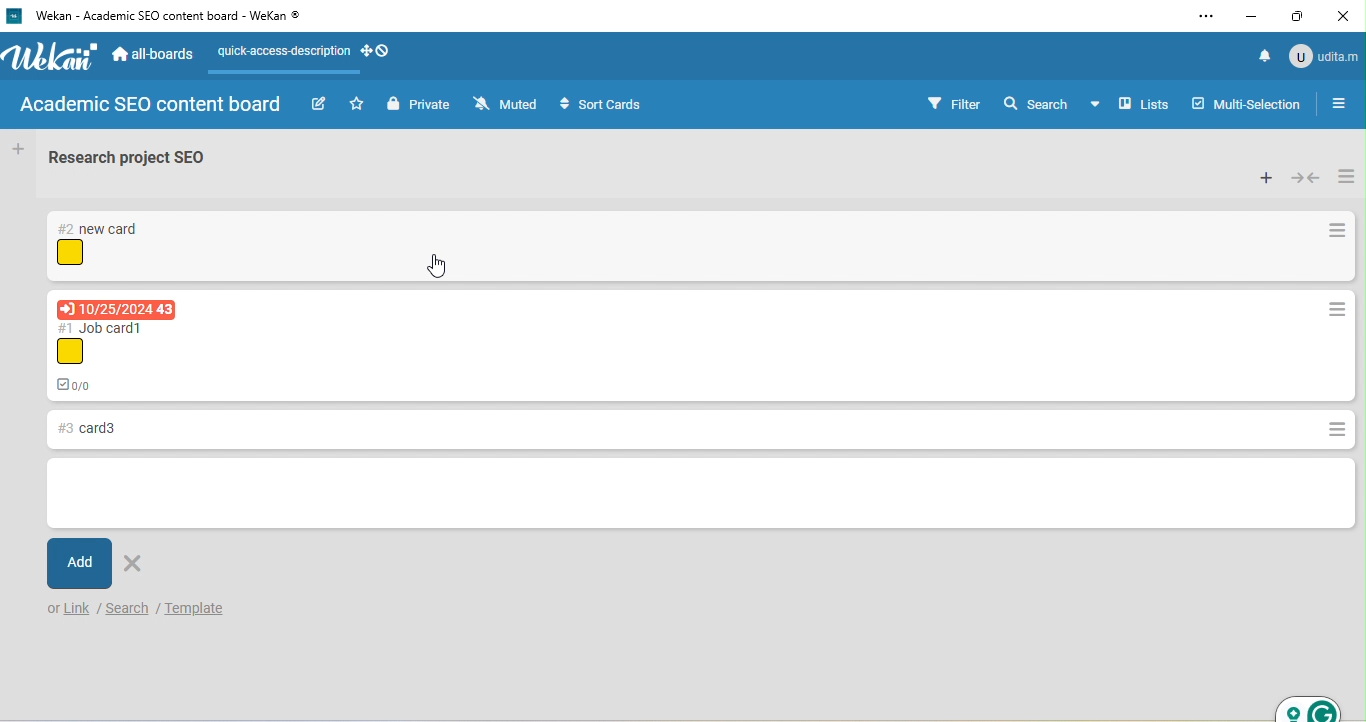 The width and height of the screenshot is (1366, 722). Describe the element at coordinates (161, 17) in the screenshot. I see `title` at that location.